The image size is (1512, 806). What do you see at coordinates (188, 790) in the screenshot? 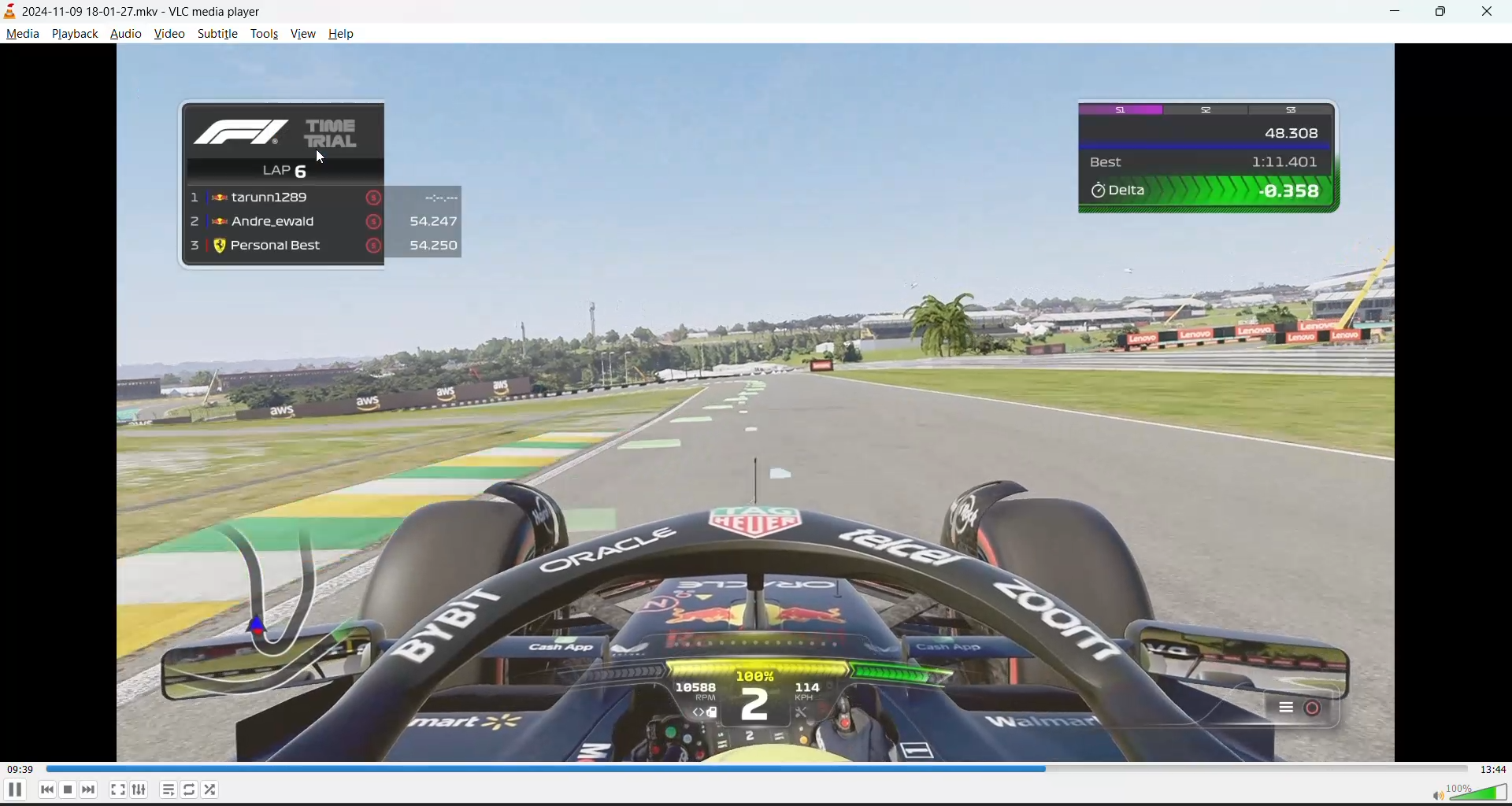
I see `loop` at bounding box center [188, 790].